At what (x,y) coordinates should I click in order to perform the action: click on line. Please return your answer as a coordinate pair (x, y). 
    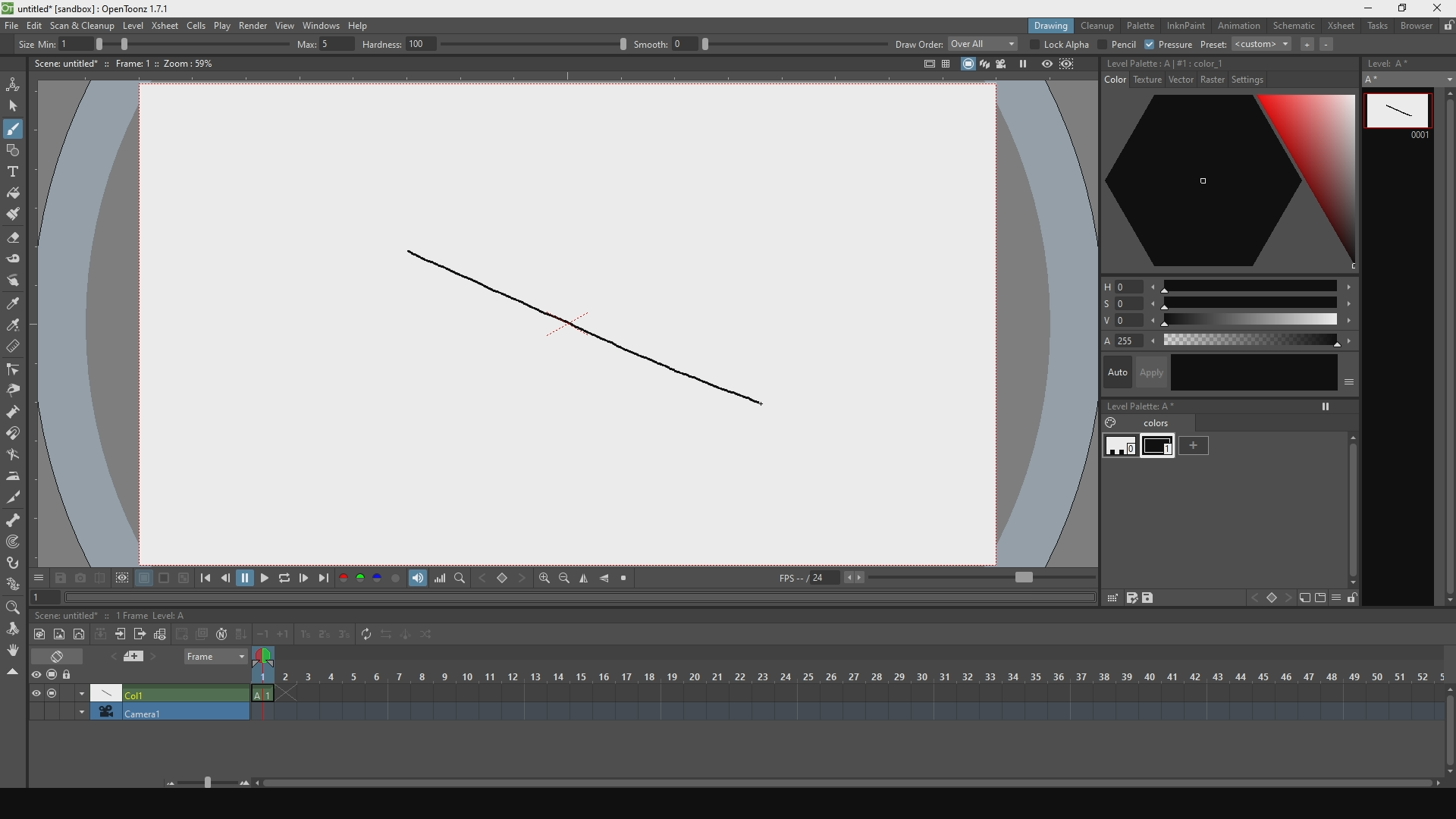
    Looking at the image, I should click on (587, 329).